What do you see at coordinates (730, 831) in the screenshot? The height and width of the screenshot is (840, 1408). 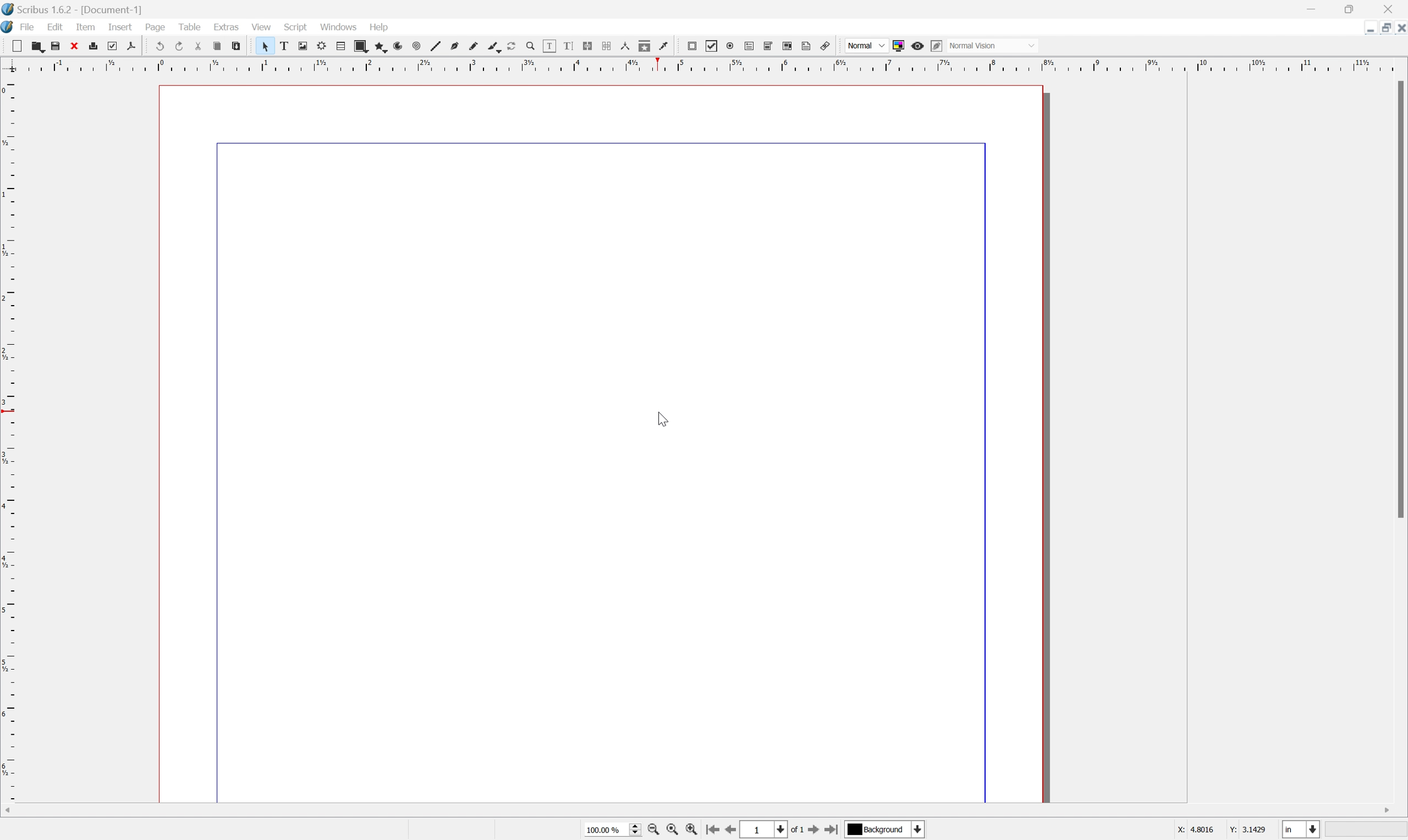 I see `go to previous page` at bounding box center [730, 831].